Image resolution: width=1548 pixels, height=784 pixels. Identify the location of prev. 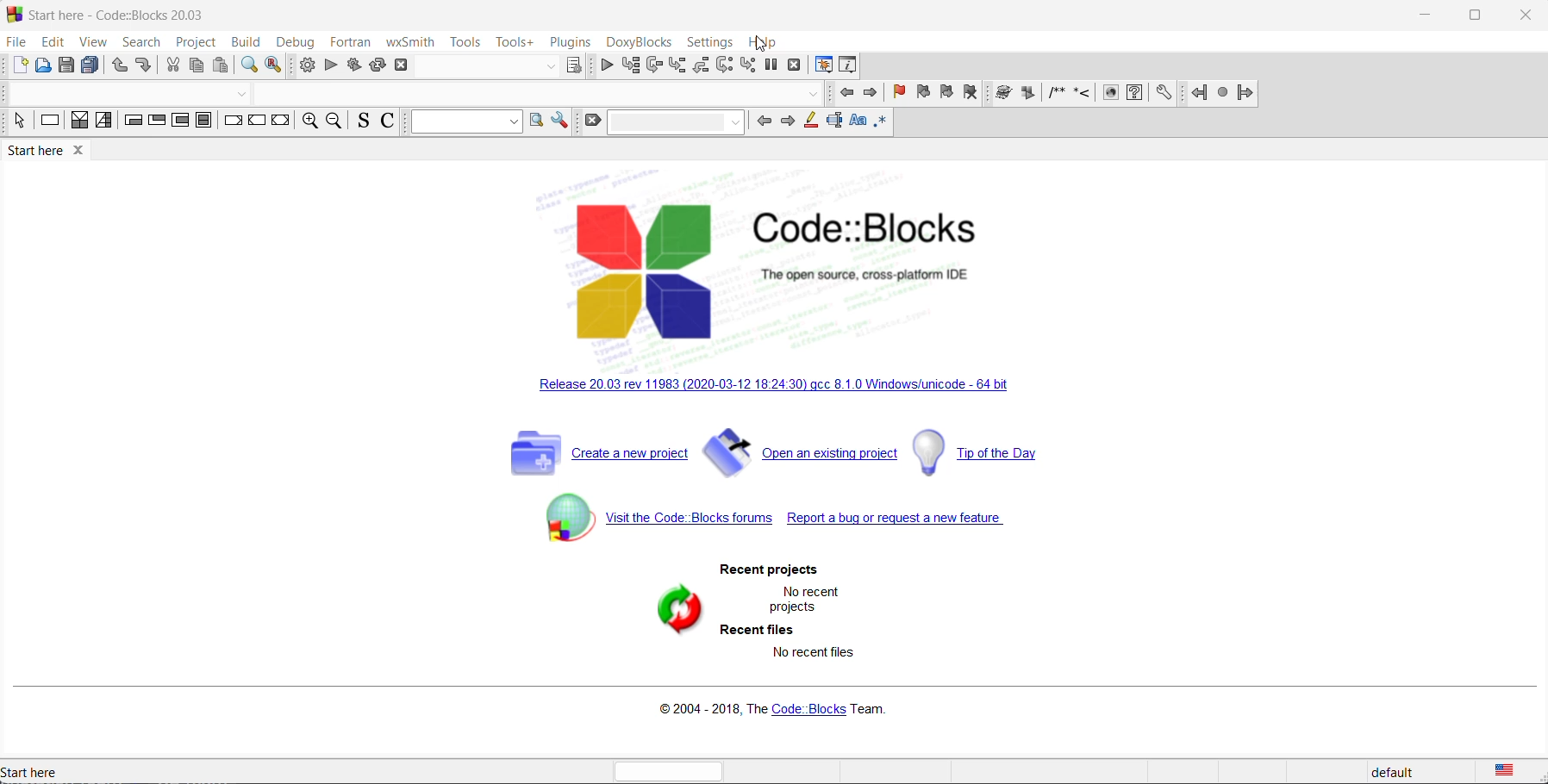
(761, 122).